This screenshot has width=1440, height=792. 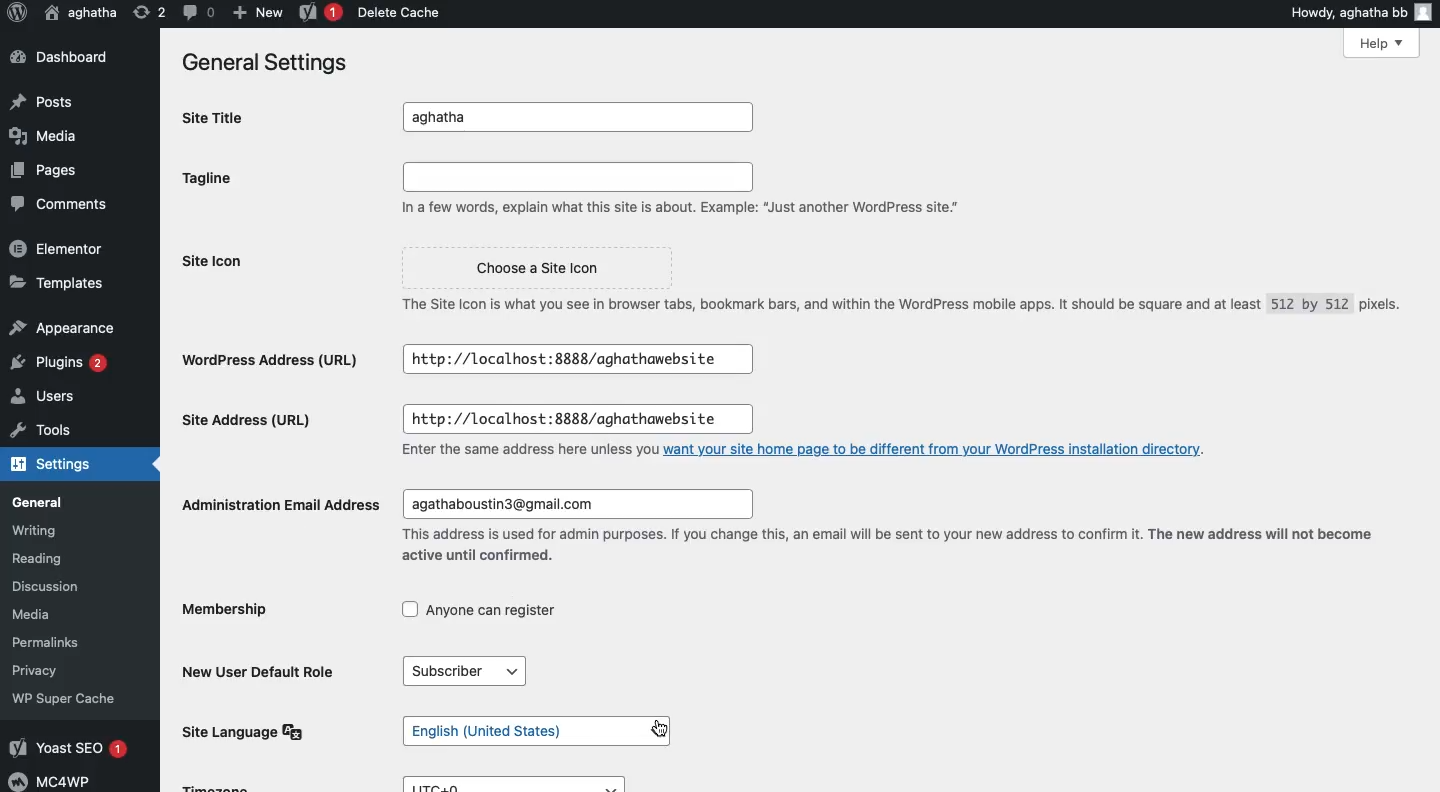 What do you see at coordinates (56, 780) in the screenshot?
I see `MC4WP` at bounding box center [56, 780].